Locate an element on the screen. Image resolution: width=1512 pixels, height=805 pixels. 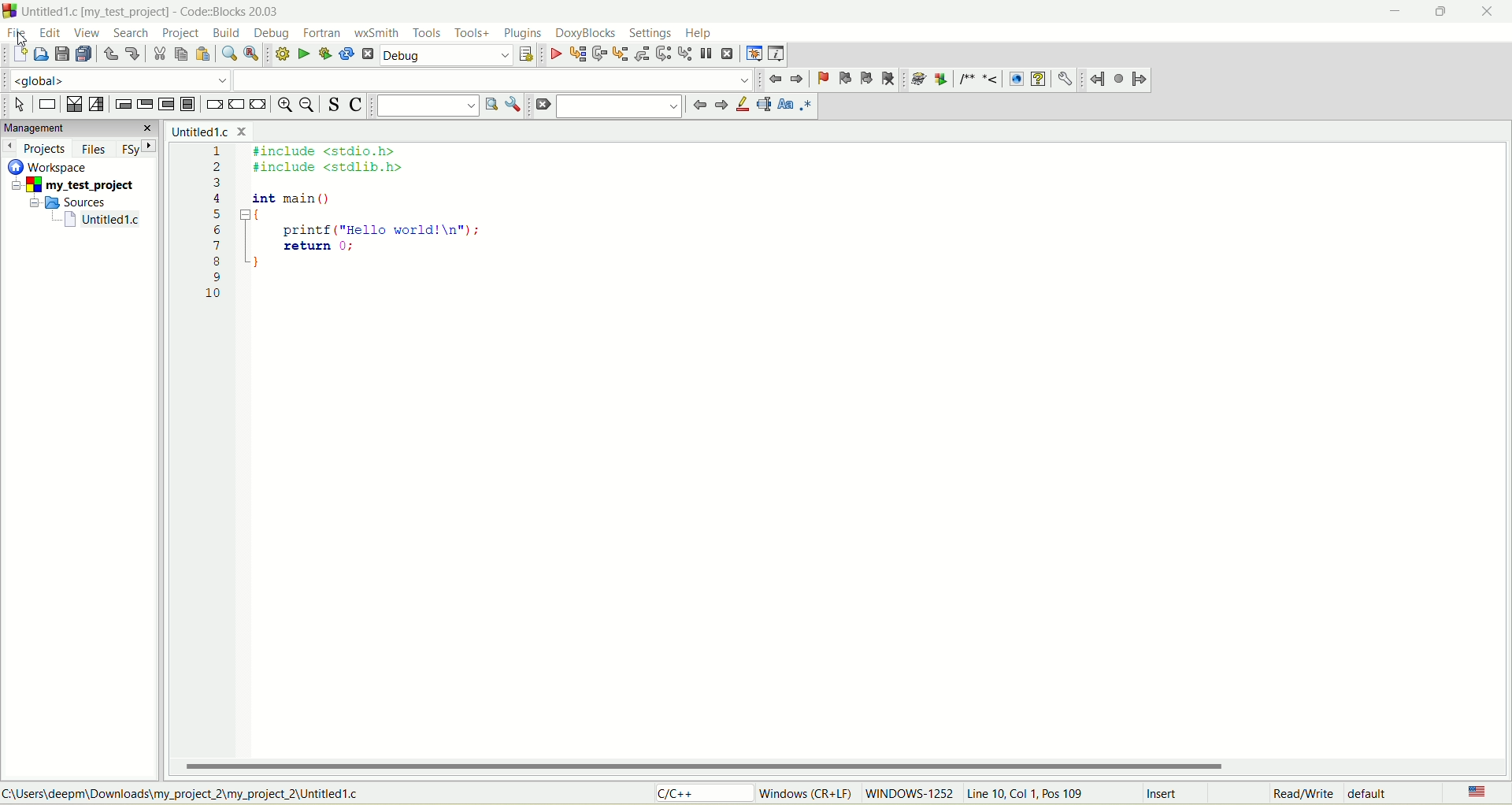
step into instruction is located at coordinates (683, 52).